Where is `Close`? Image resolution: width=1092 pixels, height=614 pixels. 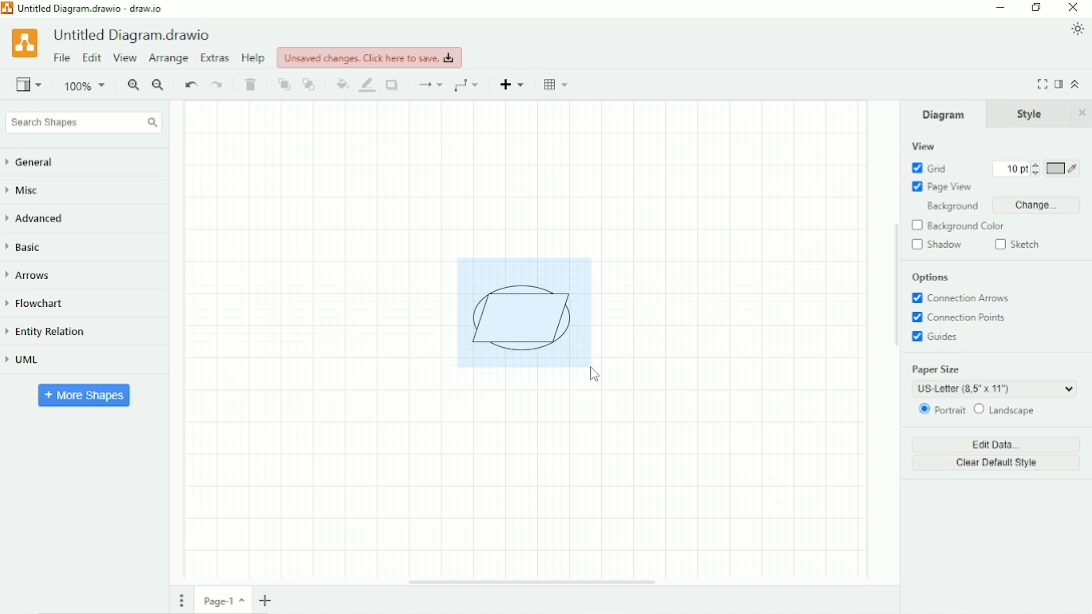 Close is located at coordinates (1082, 113).